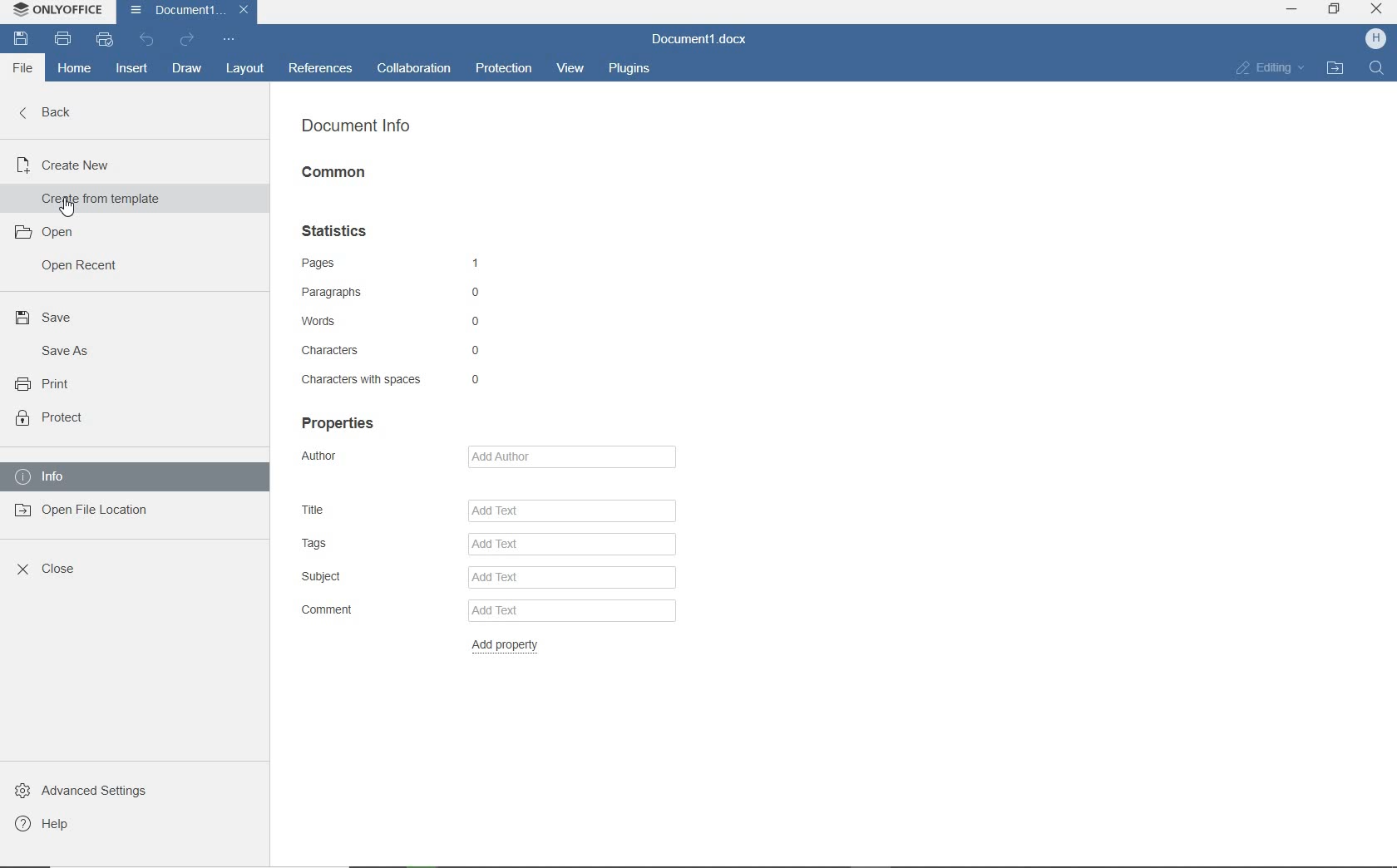 This screenshot has height=868, width=1397. What do you see at coordinates (22, 37) in the screenshot?
I see `save` at bounding box center [22, 37].